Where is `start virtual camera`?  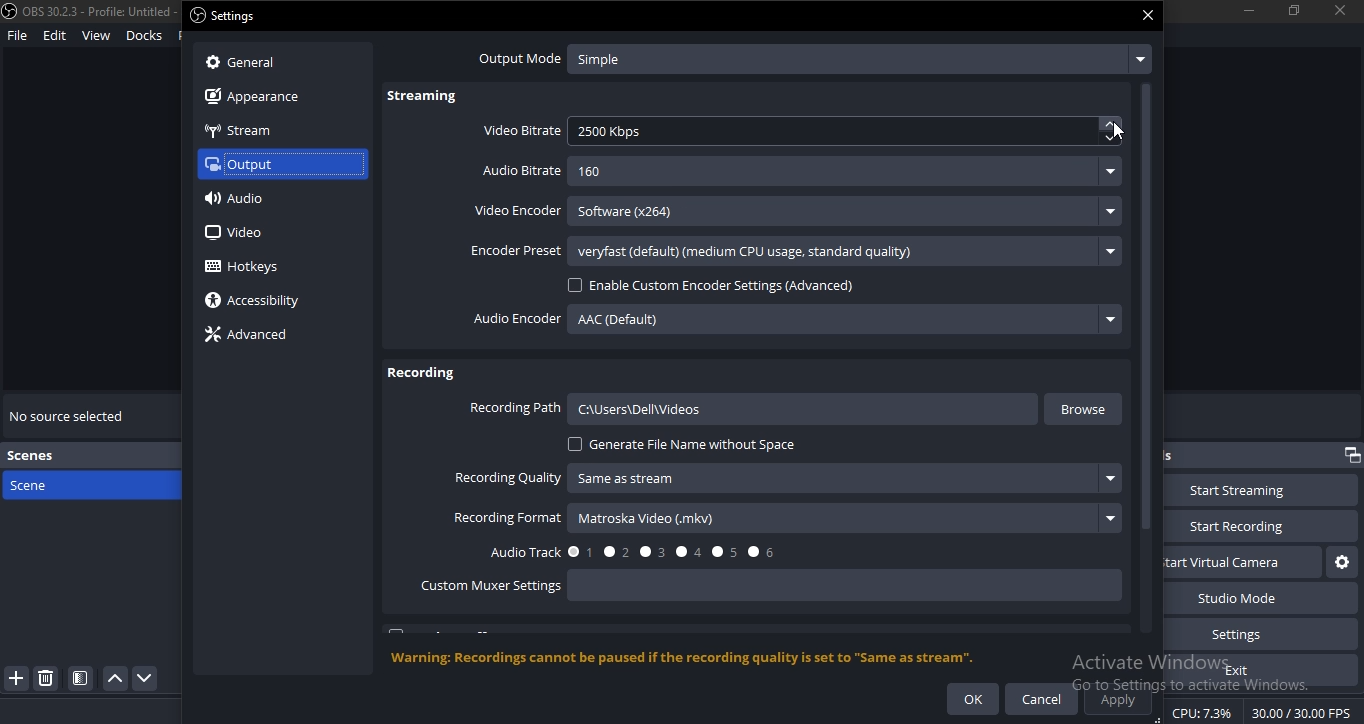
start virtual camera is located at coordinates (1339, 563).